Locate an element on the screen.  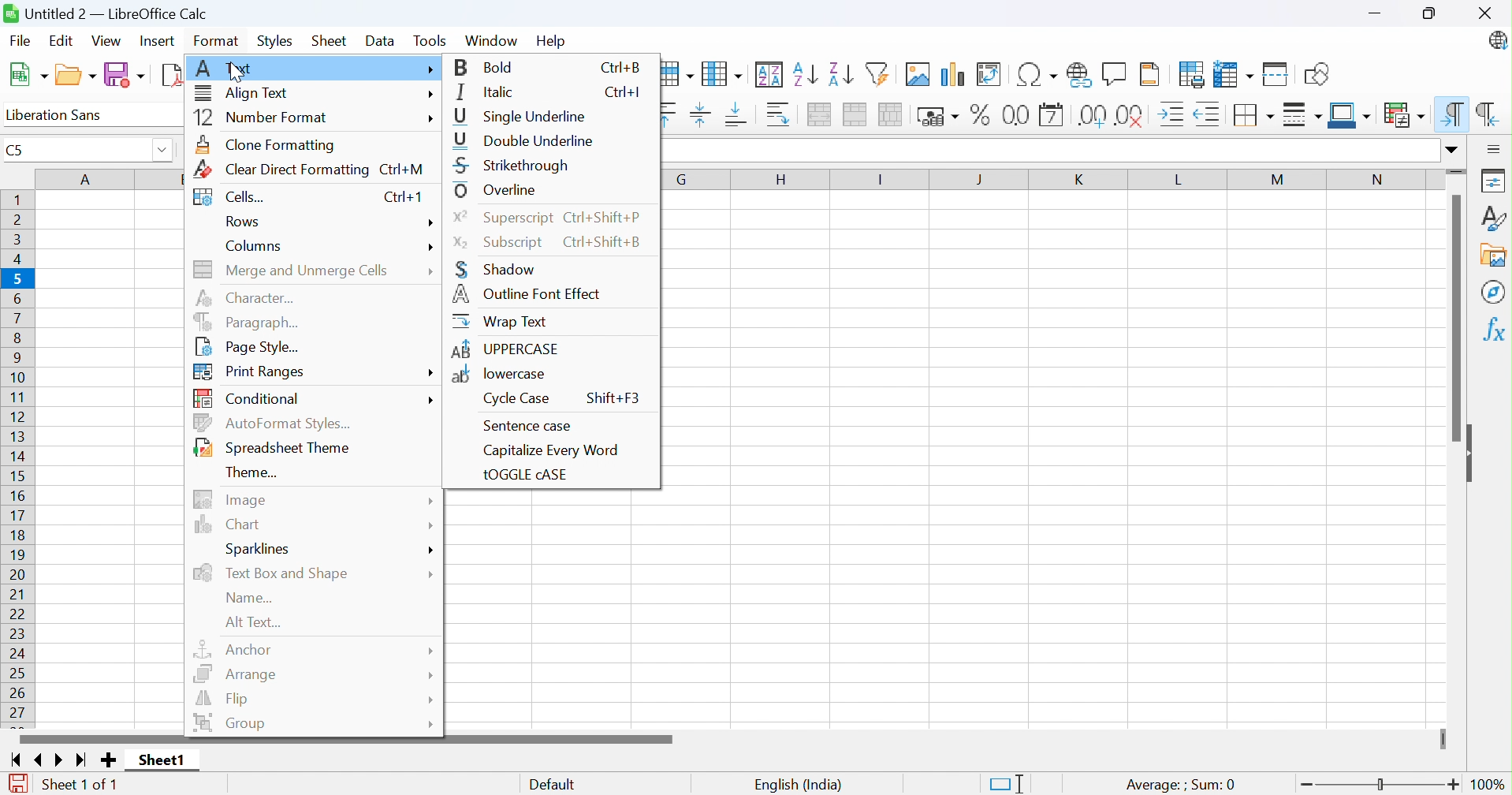
More is located at coordinates (432, 95).